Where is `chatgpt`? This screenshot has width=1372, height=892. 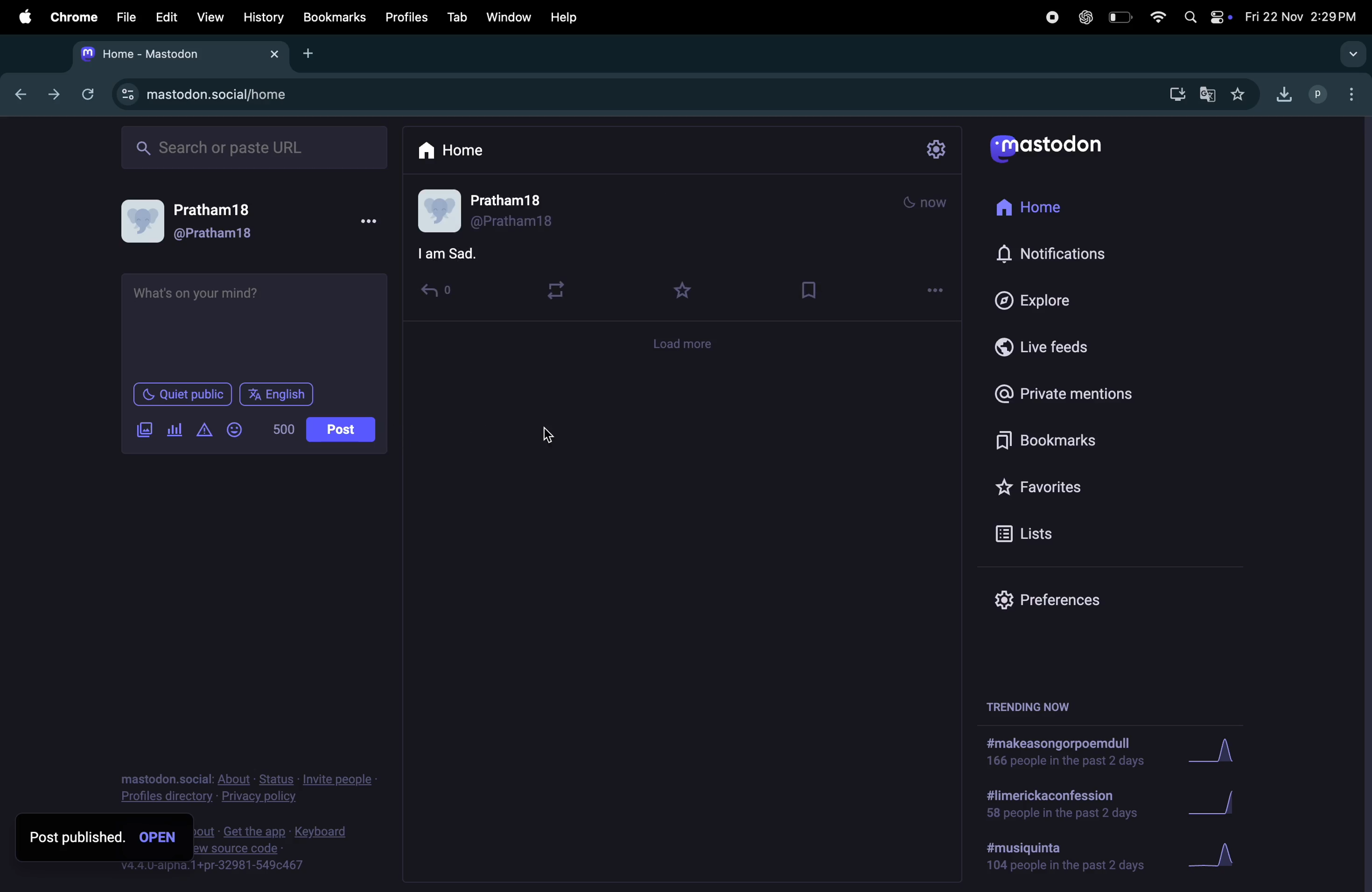
chatgpt is located at coordinates (1087, 18).